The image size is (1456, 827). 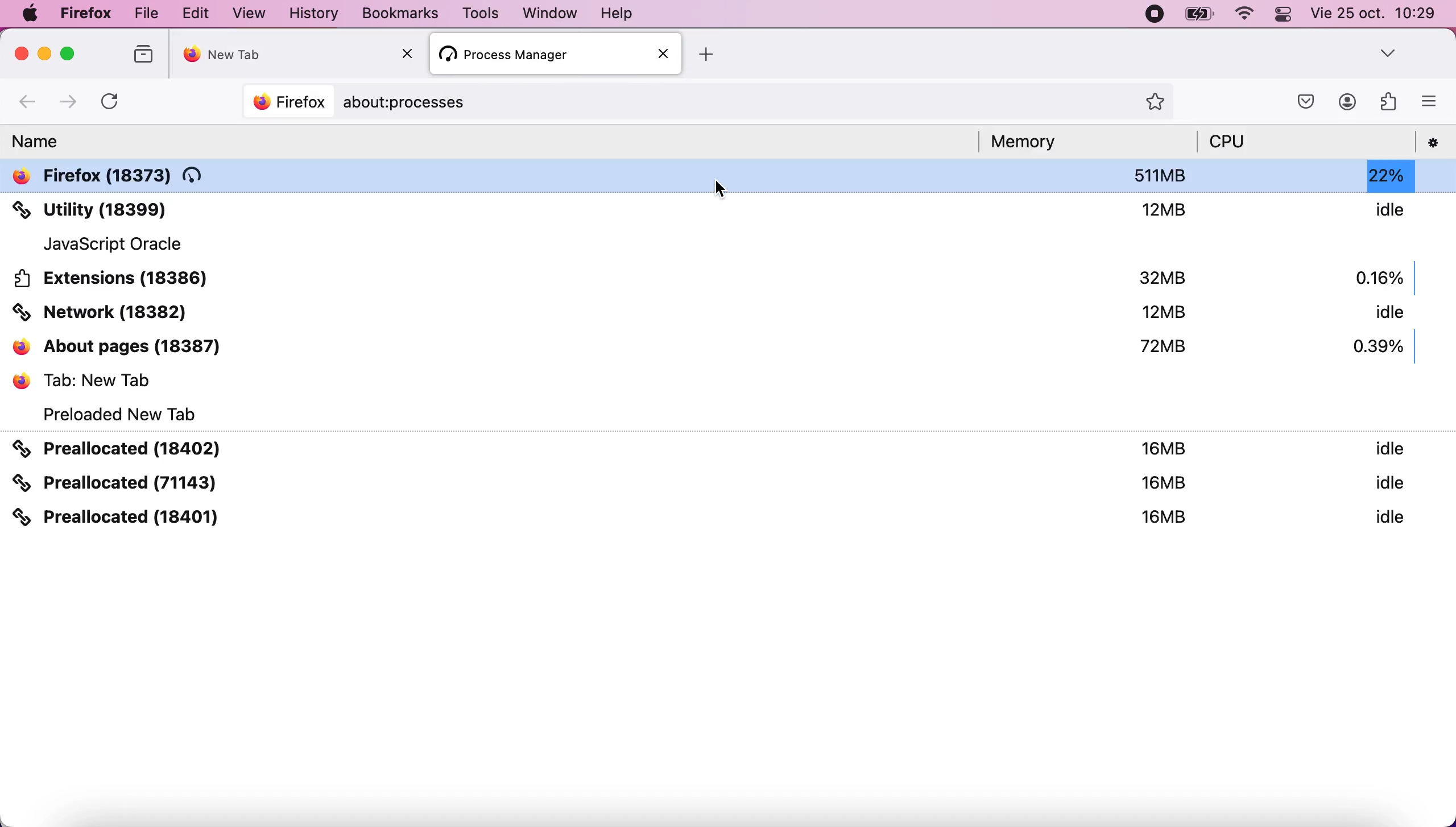 I want to click on Move forward, so click(x=68, y=104).